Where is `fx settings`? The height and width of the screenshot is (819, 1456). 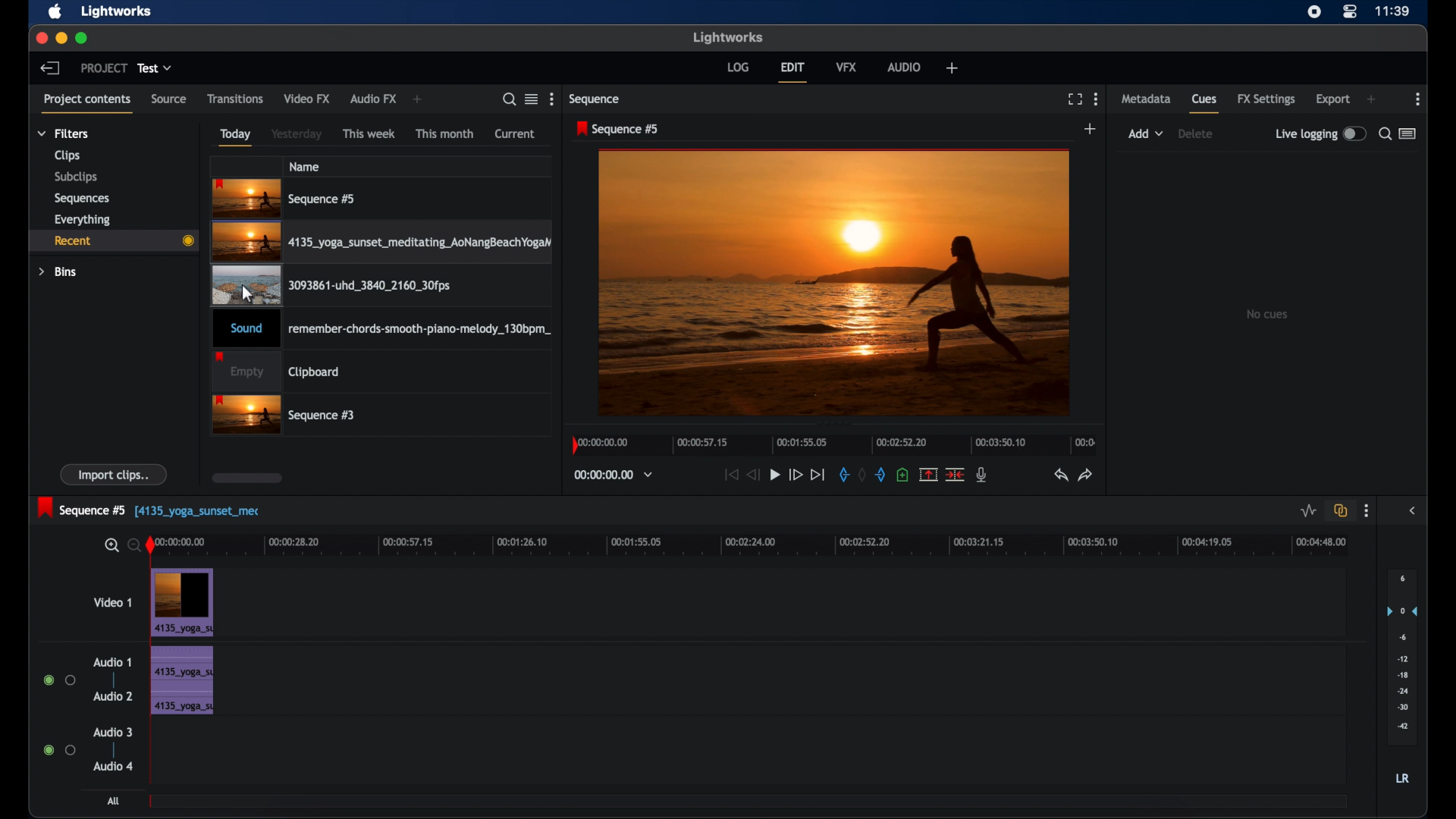 fx settings is located at coordinates (1268, 99).